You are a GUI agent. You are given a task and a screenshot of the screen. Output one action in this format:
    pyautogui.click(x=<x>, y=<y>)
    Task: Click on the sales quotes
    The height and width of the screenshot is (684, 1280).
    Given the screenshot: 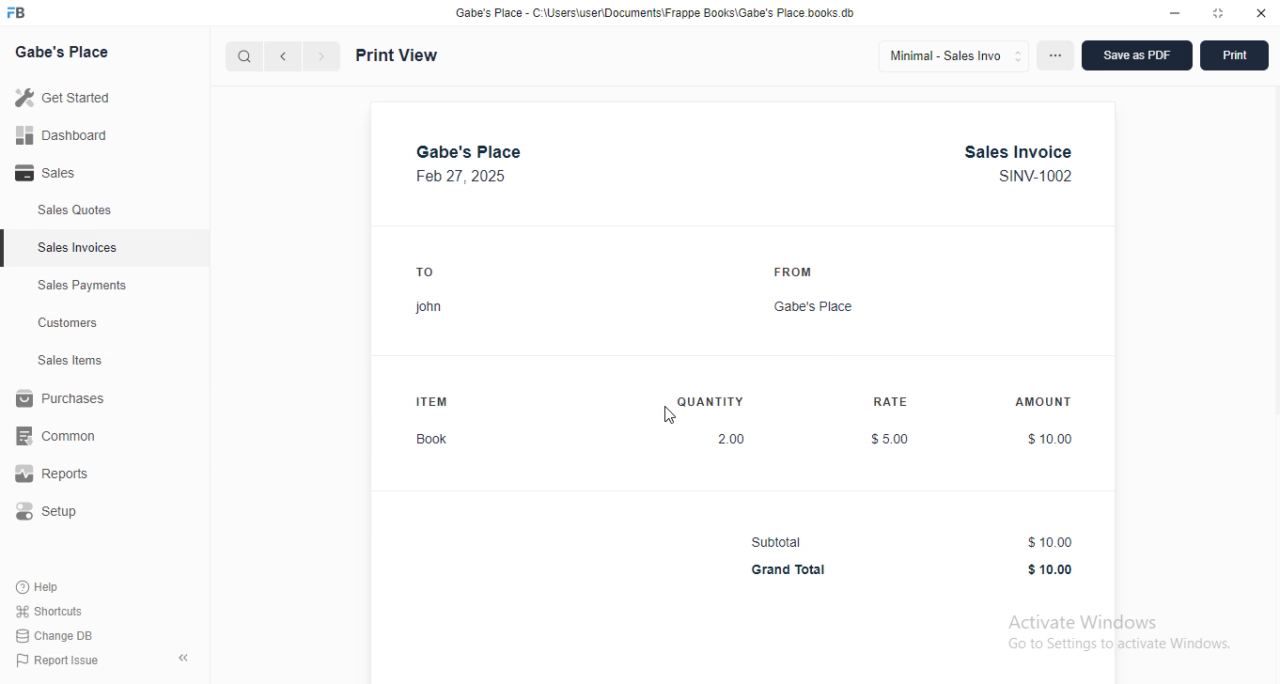 What is the action you would take?
    pyautogui.click(x=75, y=209)
    